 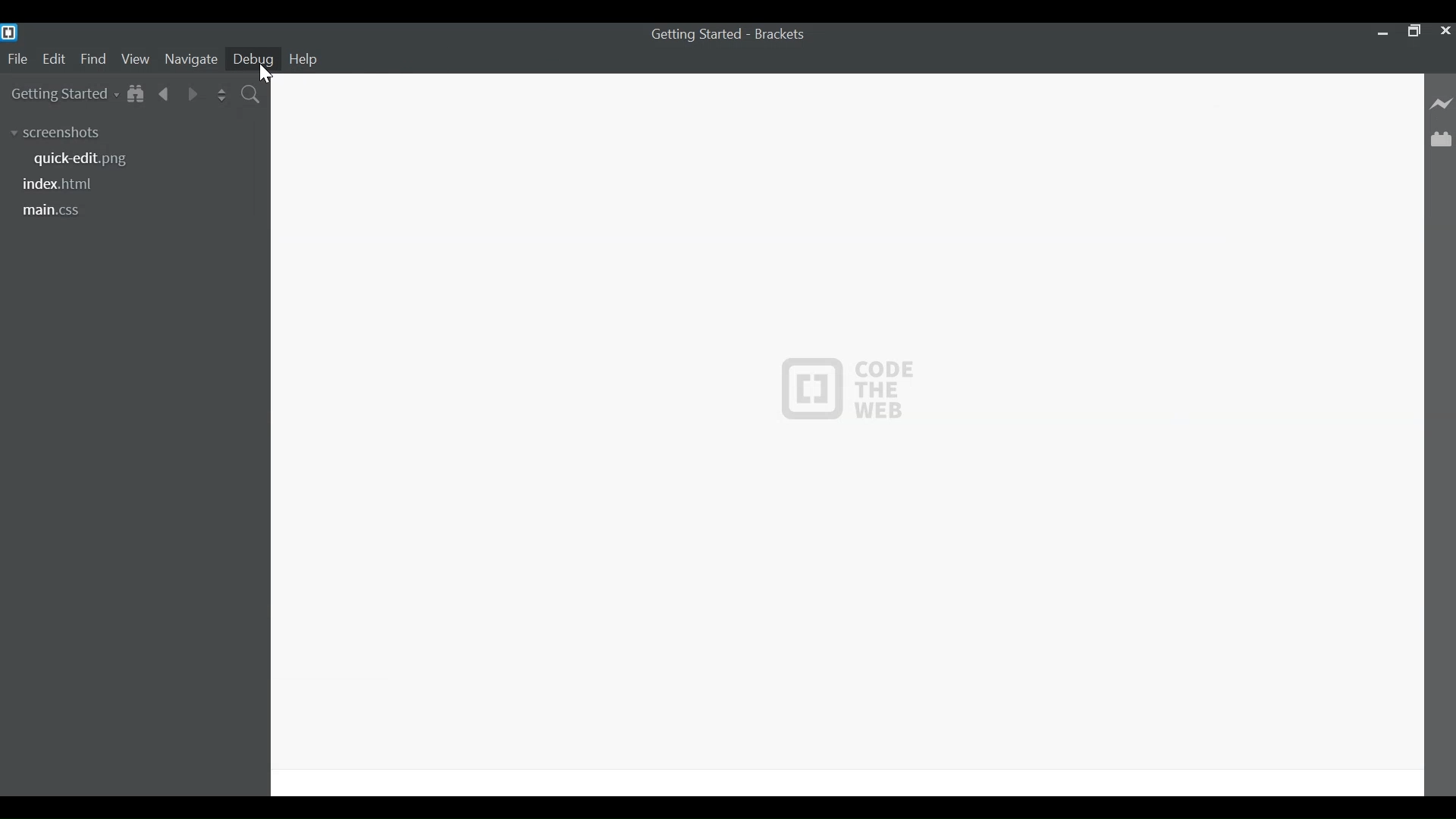 What do you see at coordinates (61, 186) in the screenshot?
I see `index.html` at bounding box center [61, 186].